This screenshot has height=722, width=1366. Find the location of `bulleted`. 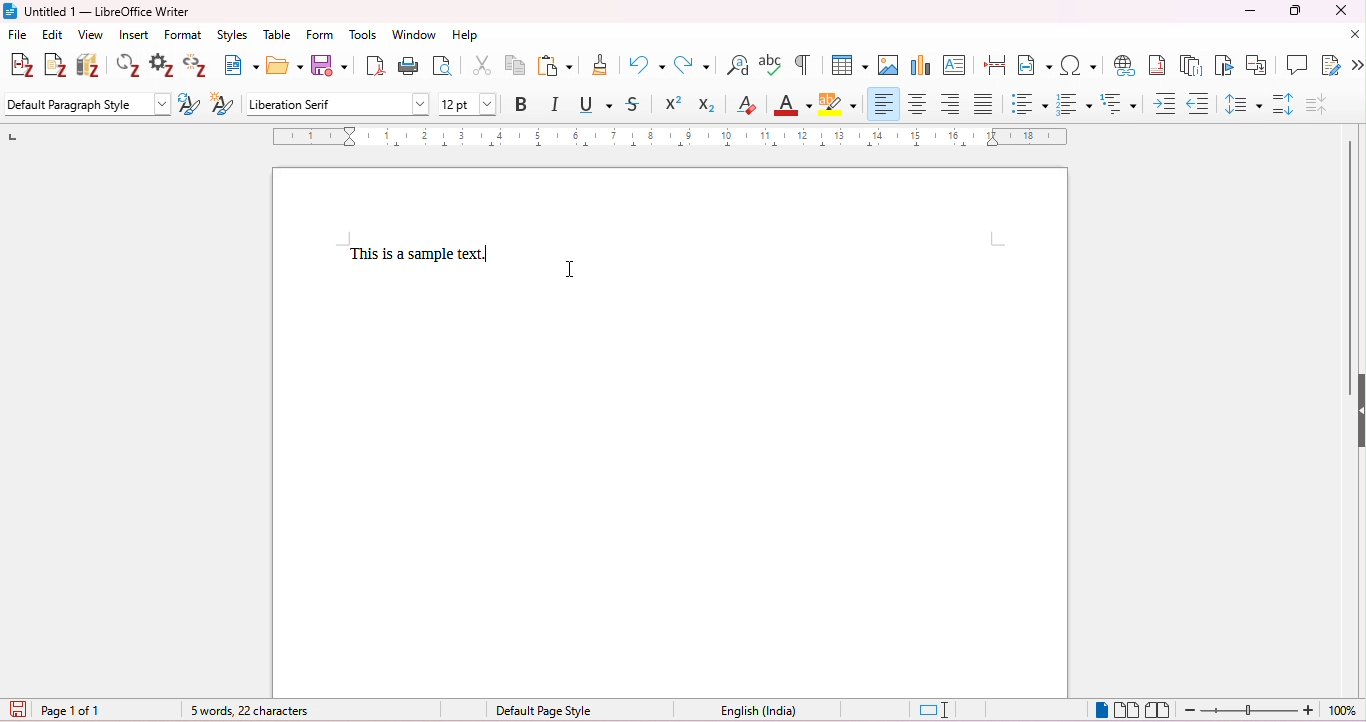

bulleted is located at coordinates (1028, 104).